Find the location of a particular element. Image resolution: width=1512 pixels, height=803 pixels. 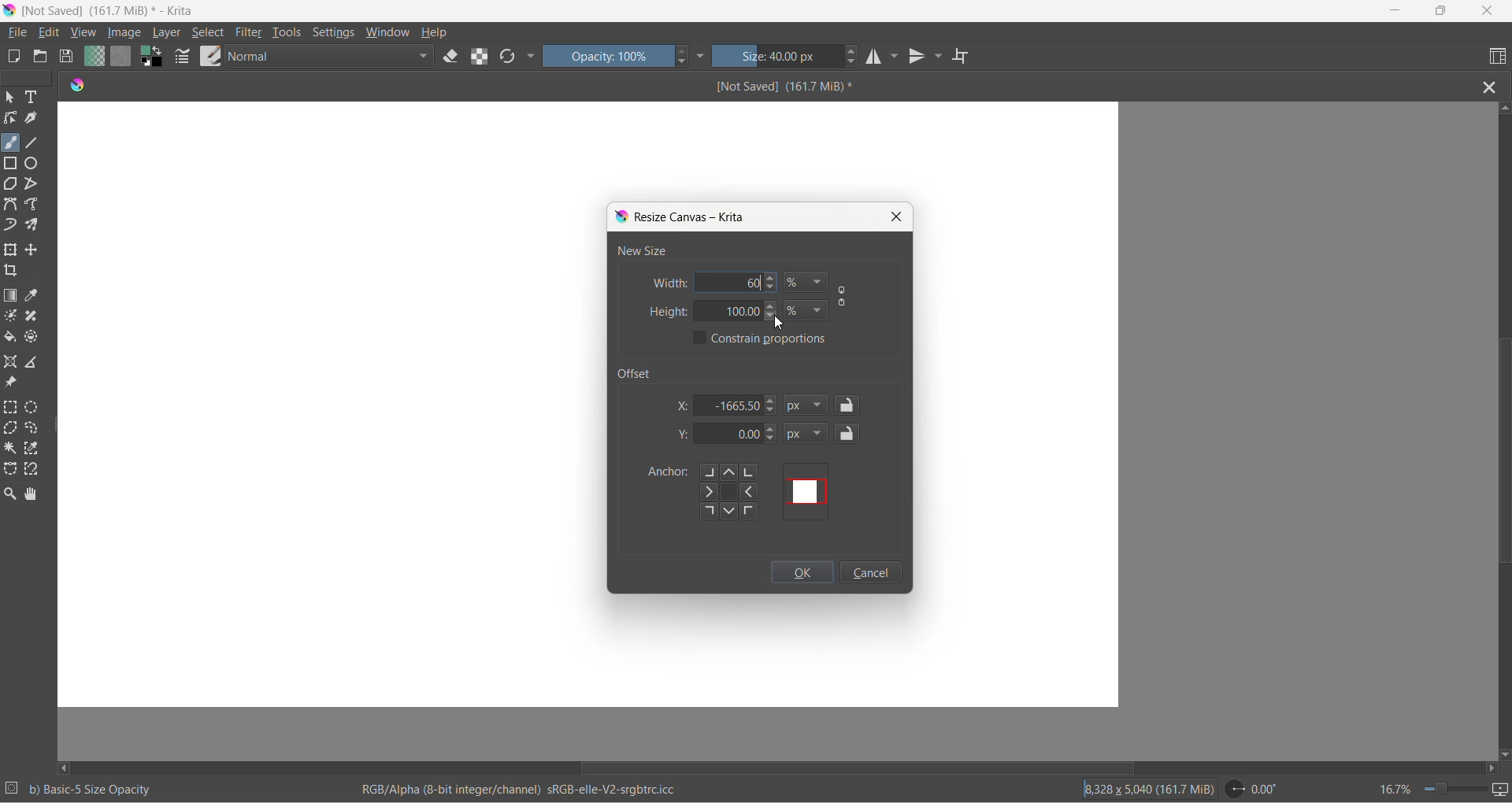

y-axis value type is located at coordinates (807, 435).